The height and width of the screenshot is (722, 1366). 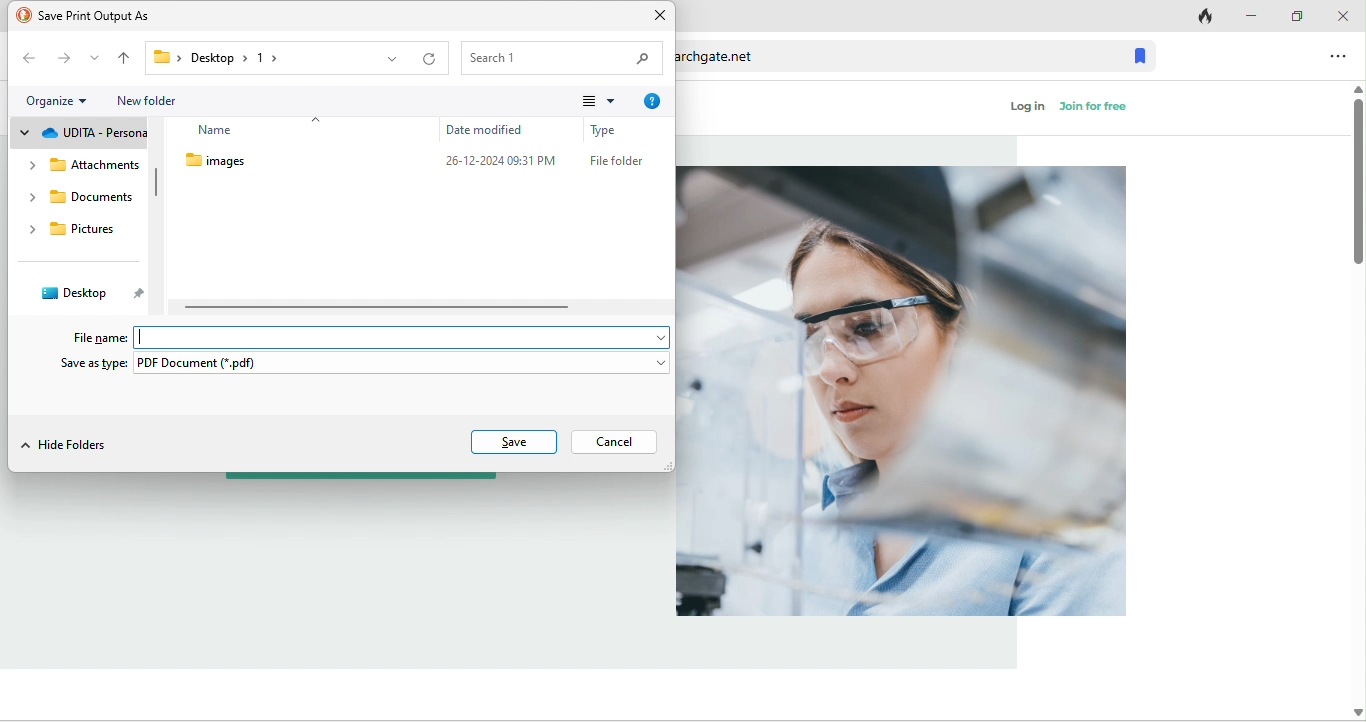 I want to click on refresh, so click(x=430, y=57).